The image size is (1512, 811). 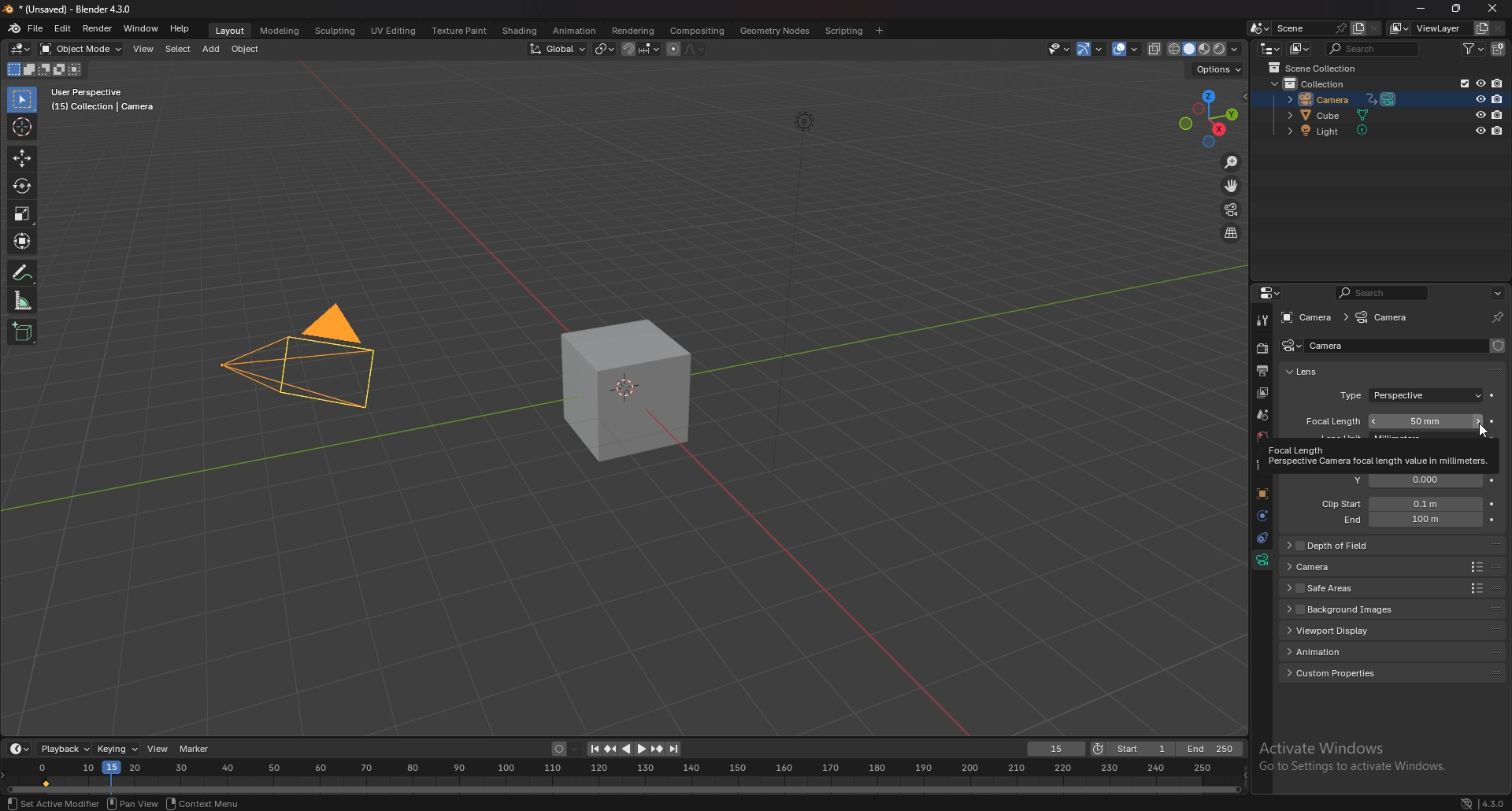 What do you see at coordinates (1480, 433) in the screenshot?
I see `Cursor` at bounding box center [1480, 433].